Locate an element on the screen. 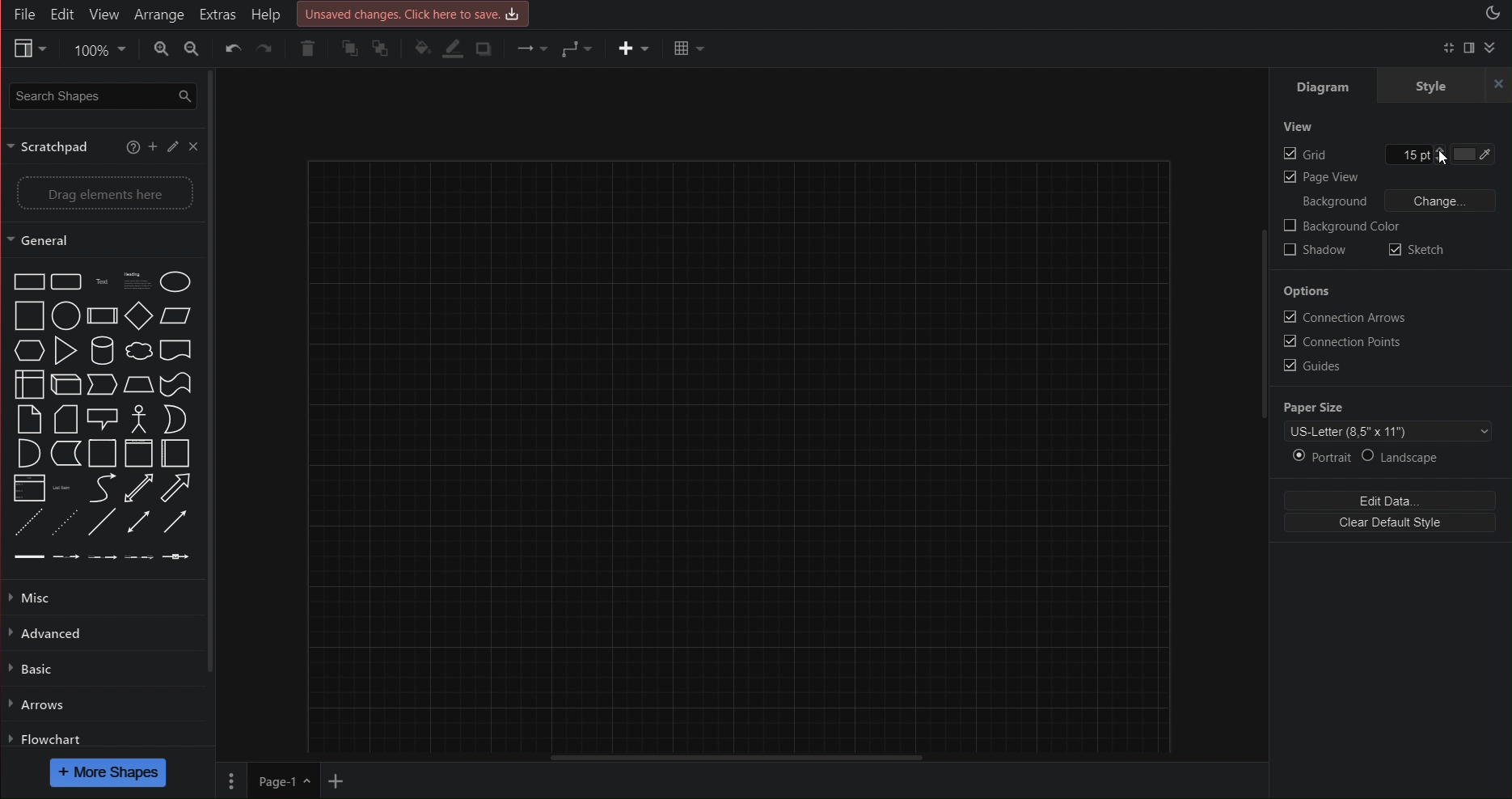 Image resolution: width=1512 pixels, height=799 pixels. Unsaved Changes Click to save is located at coordinates (416, 13).